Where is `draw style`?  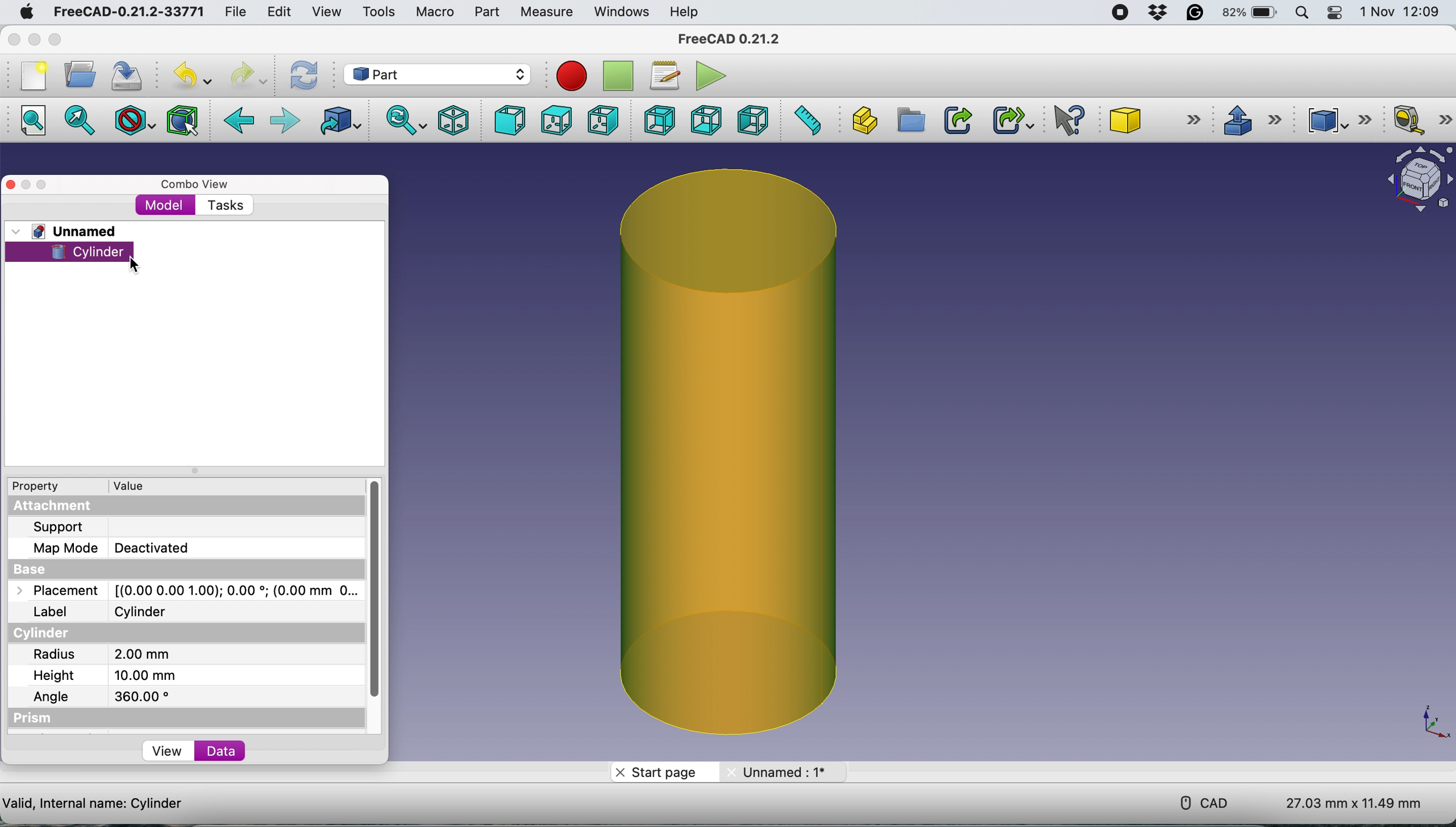 draw style is located at coordinates (134, 122).